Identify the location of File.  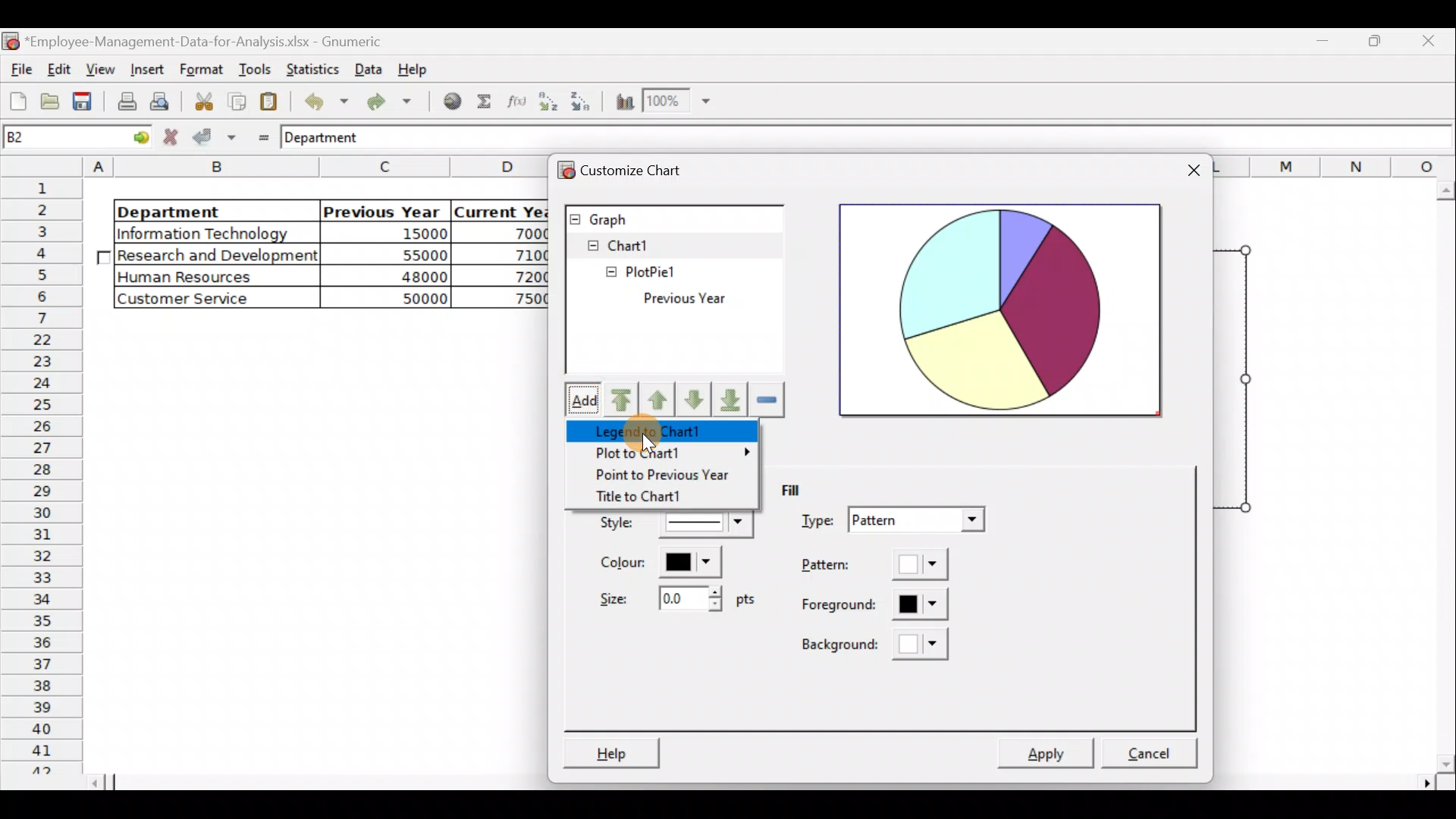
(19, 65).